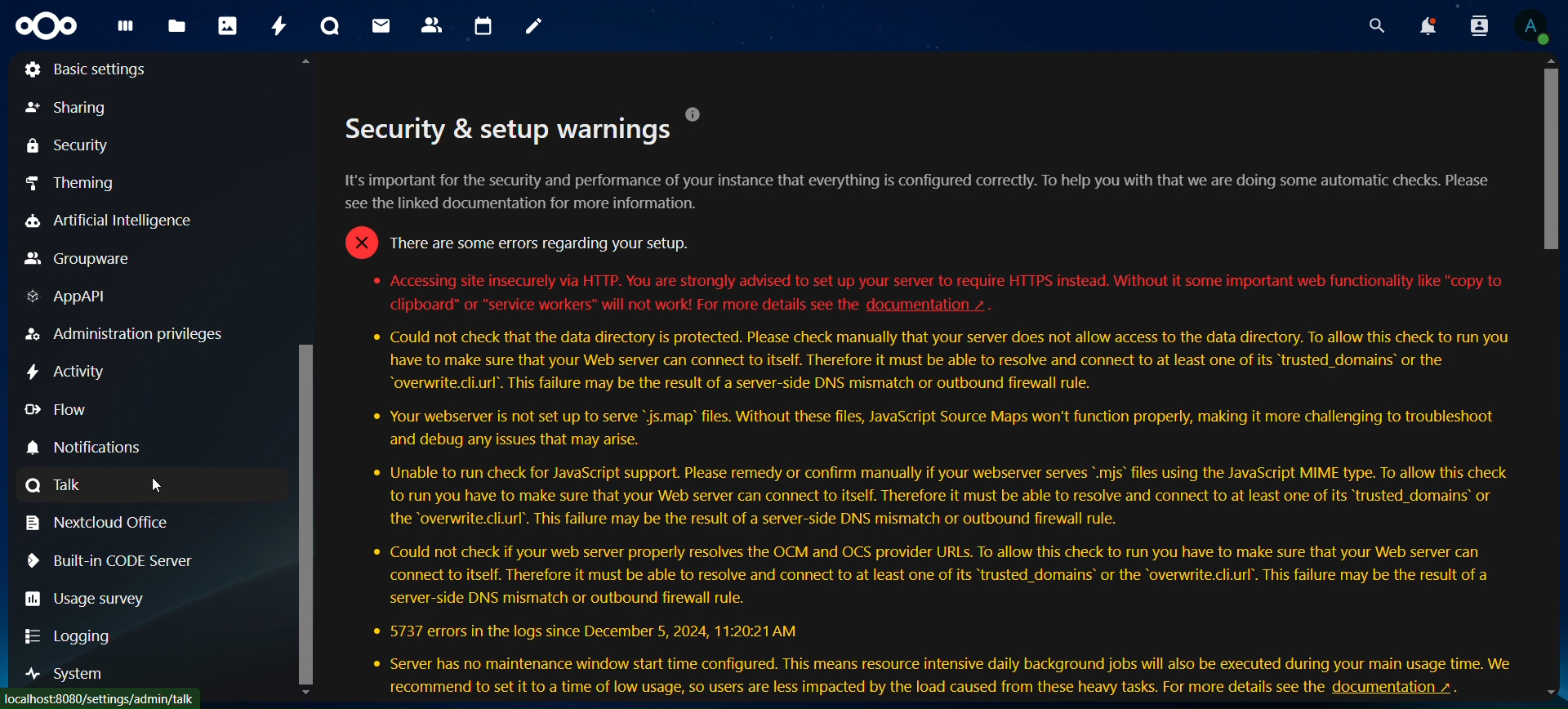 This screenshot has width=1568, height=709. Describe the element at coordinates (111, 560) in the screenshot. I see `built-in` at that location.